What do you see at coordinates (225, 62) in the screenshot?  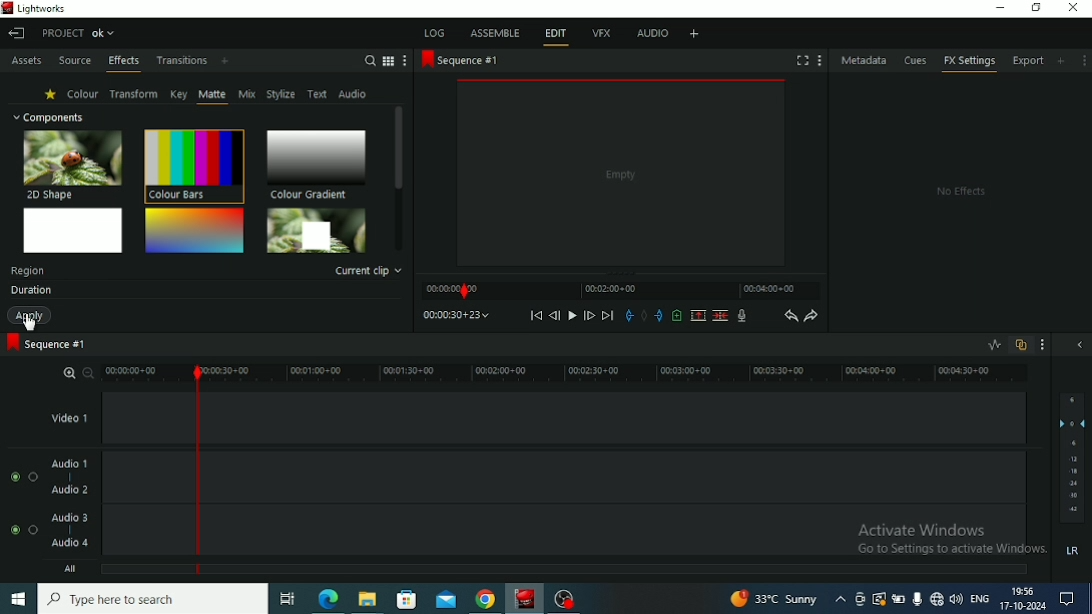 I see `Add` at bounding box center [225, 62].